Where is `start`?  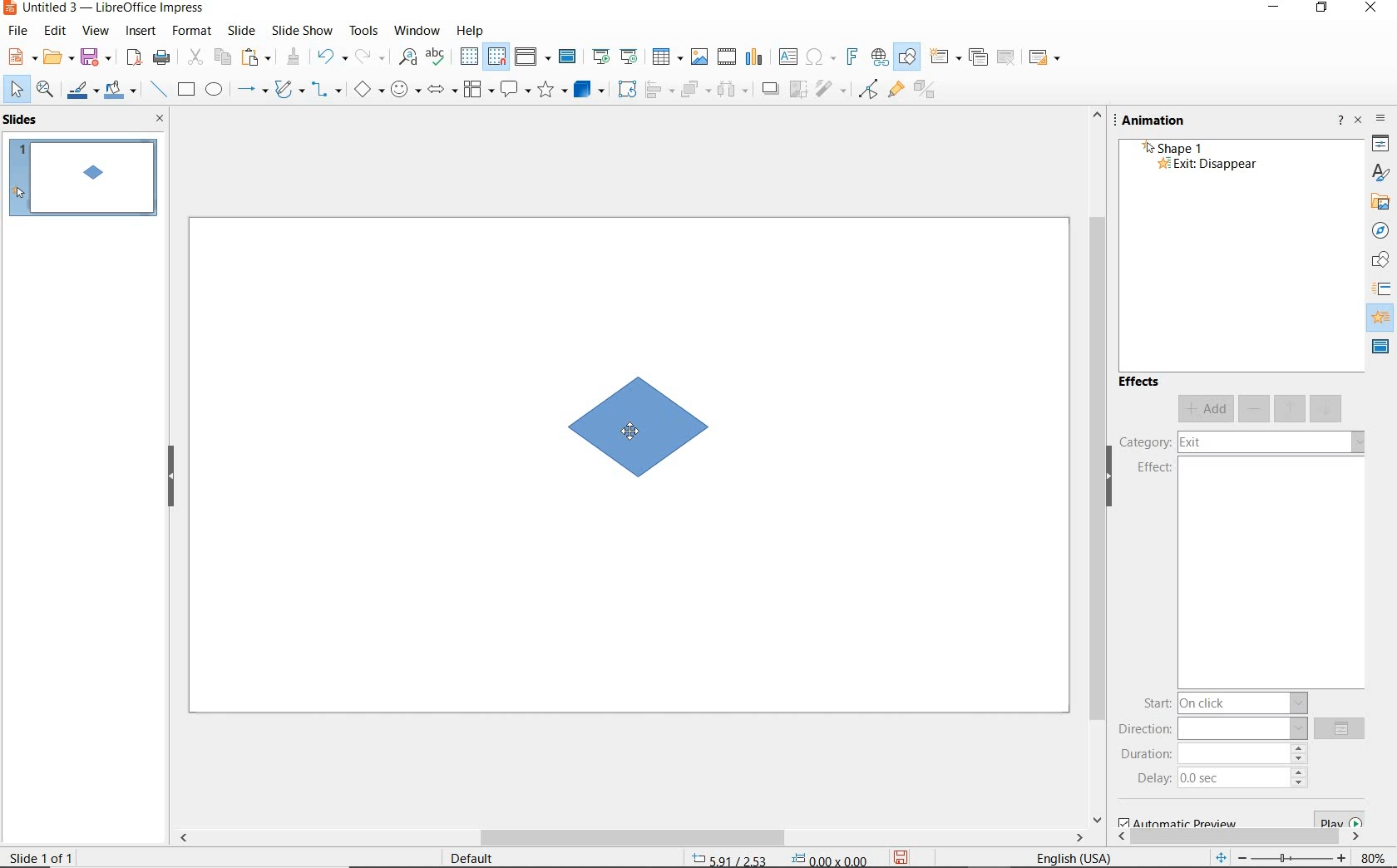
start is located at coordinates (1224, 703).